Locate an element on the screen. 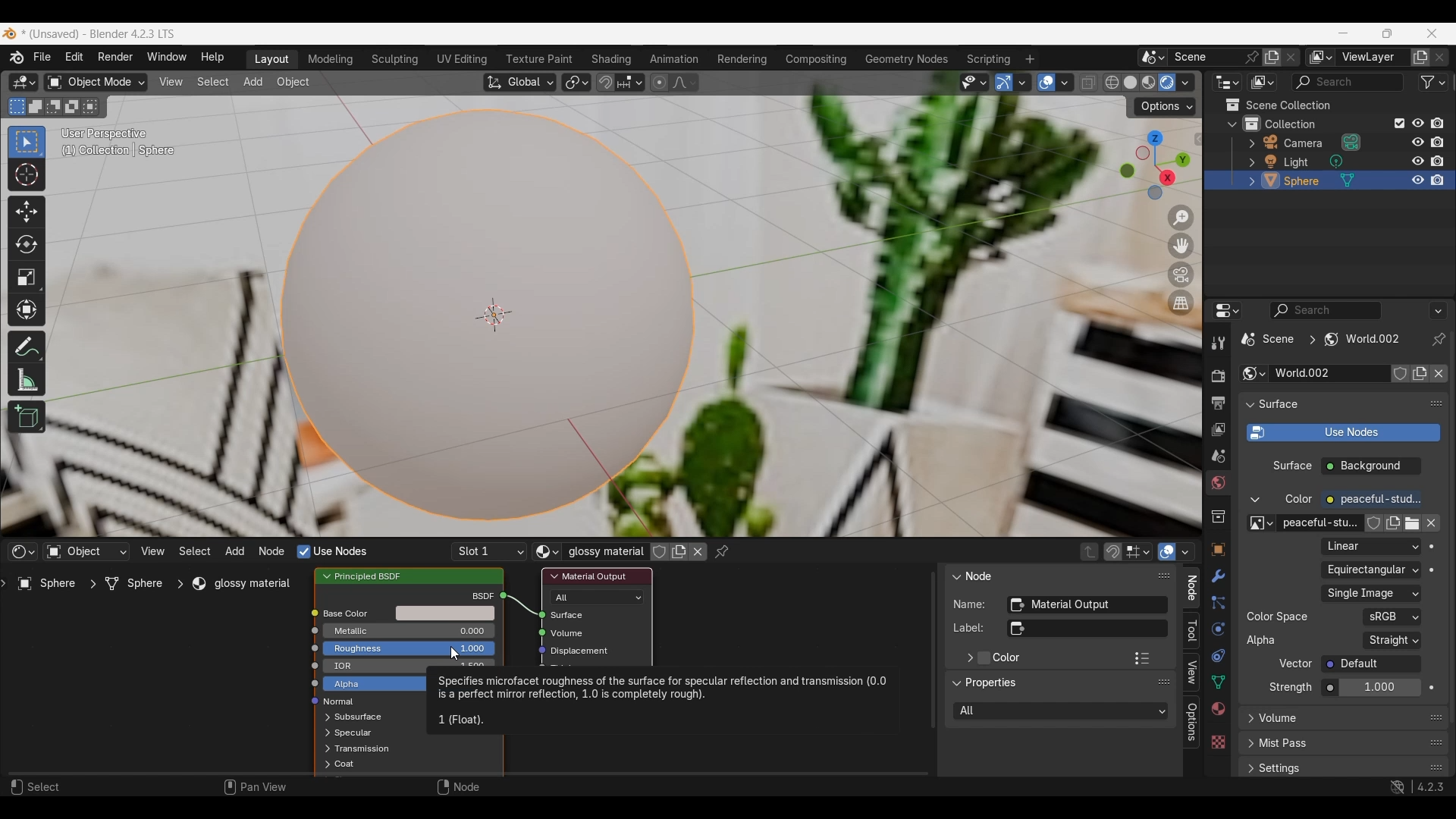  View menu is located at coordinates (152, 551).